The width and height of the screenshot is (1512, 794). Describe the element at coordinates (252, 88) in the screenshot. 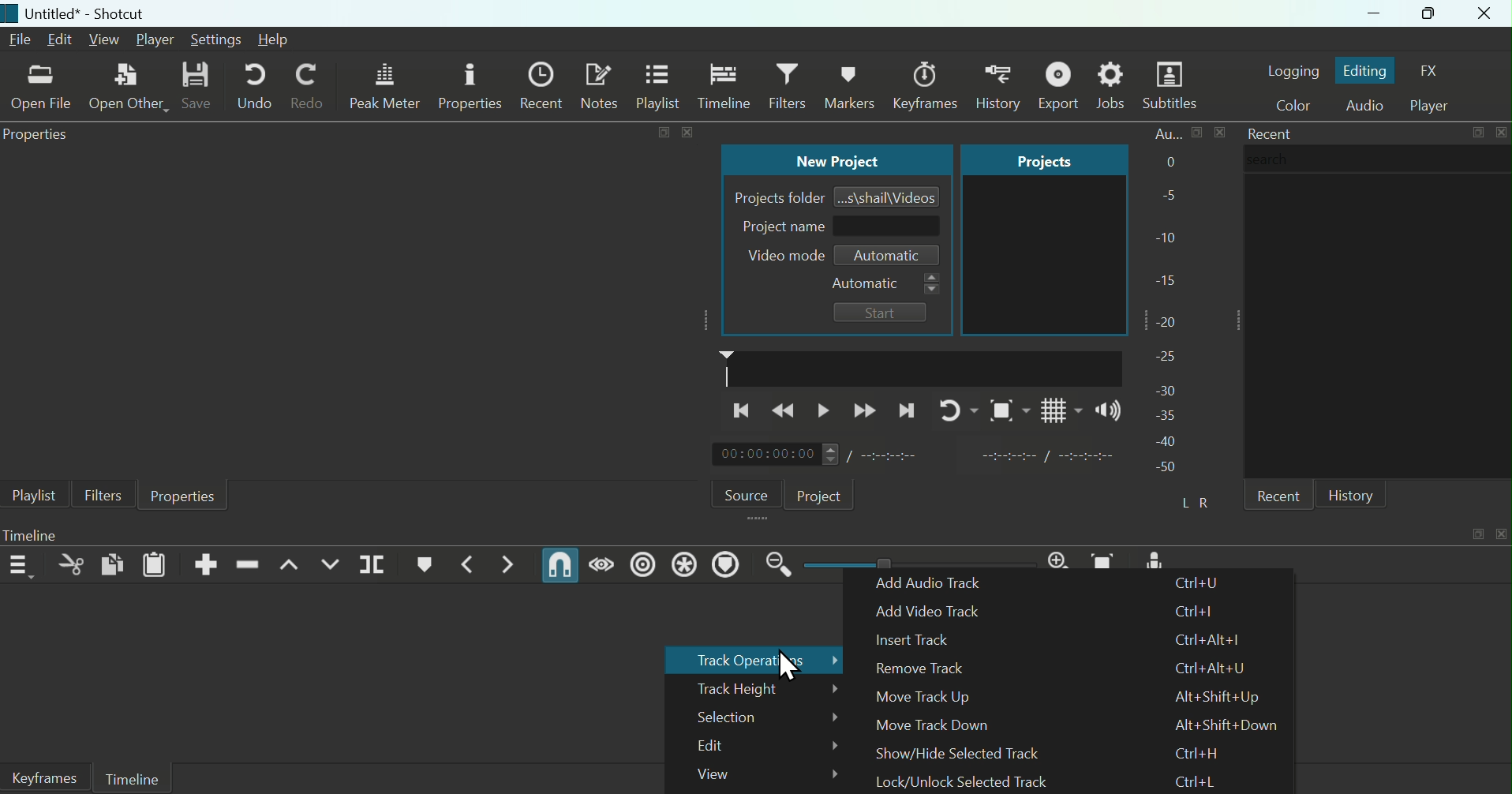

I see `Undo` at that location.